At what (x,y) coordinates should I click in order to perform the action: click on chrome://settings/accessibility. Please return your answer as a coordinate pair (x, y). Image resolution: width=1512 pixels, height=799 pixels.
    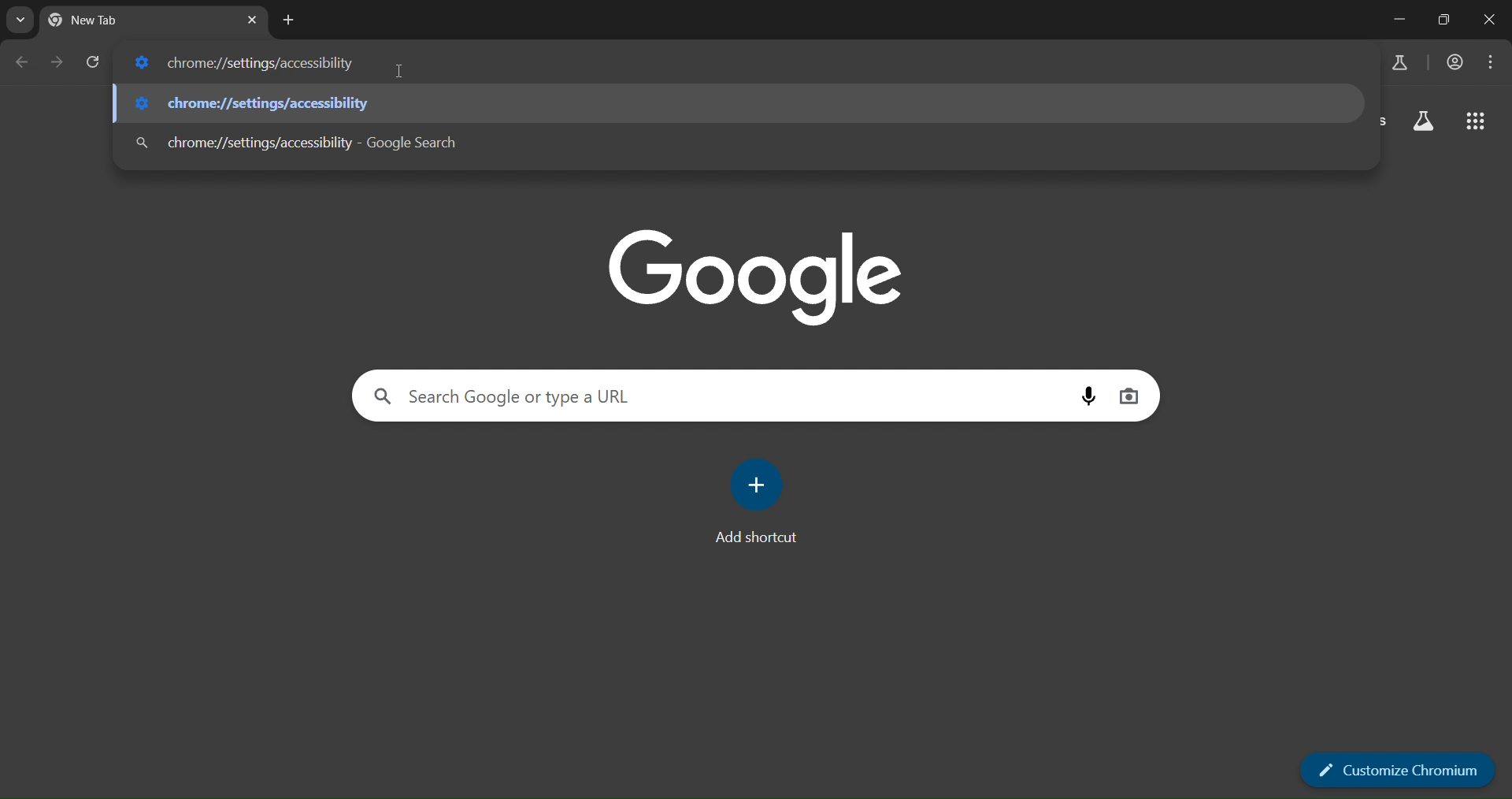
    Looking at the image, I should click on (727, 61).